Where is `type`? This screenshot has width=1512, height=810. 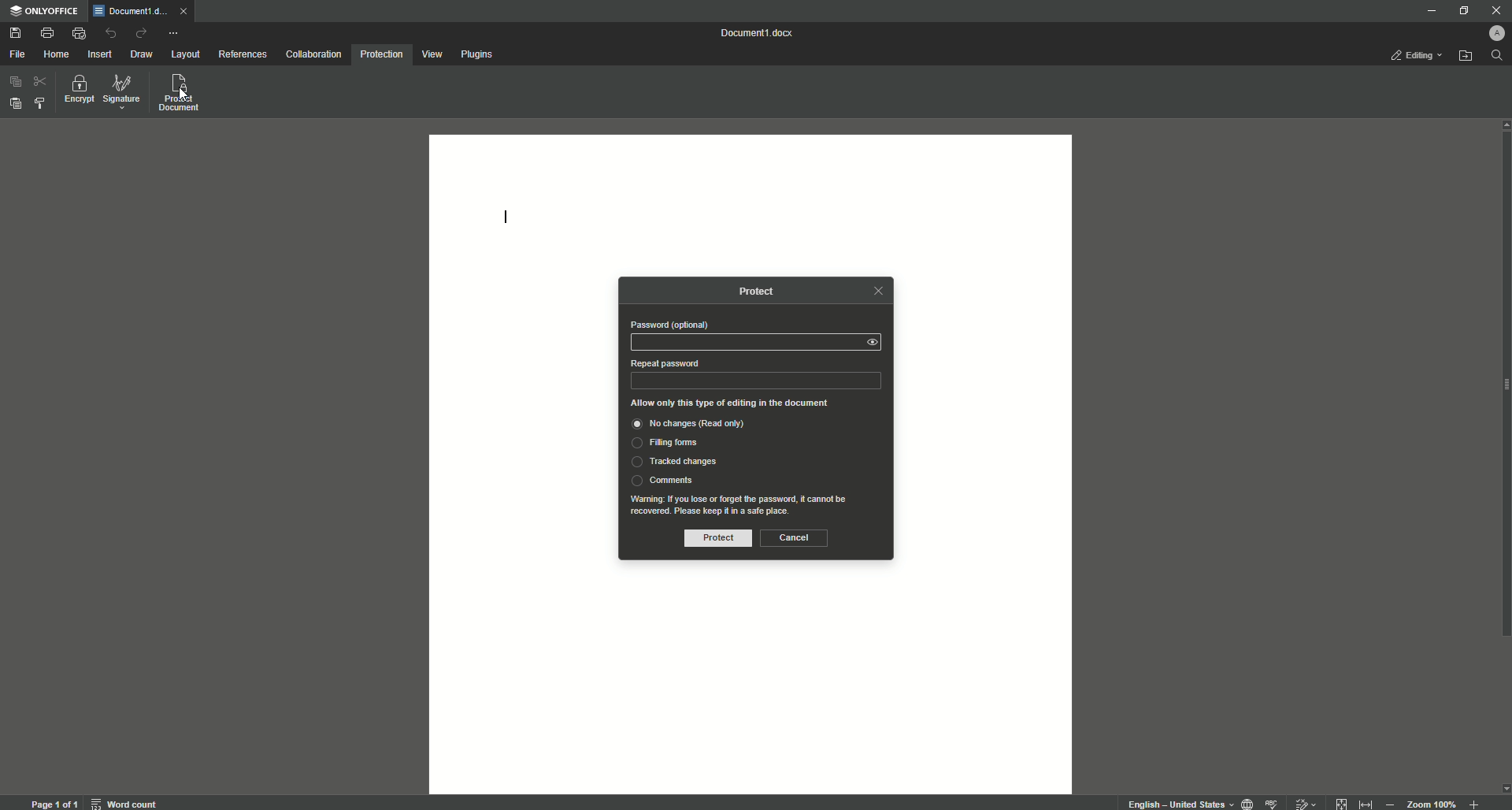 type is located at coordinates (743, 341).